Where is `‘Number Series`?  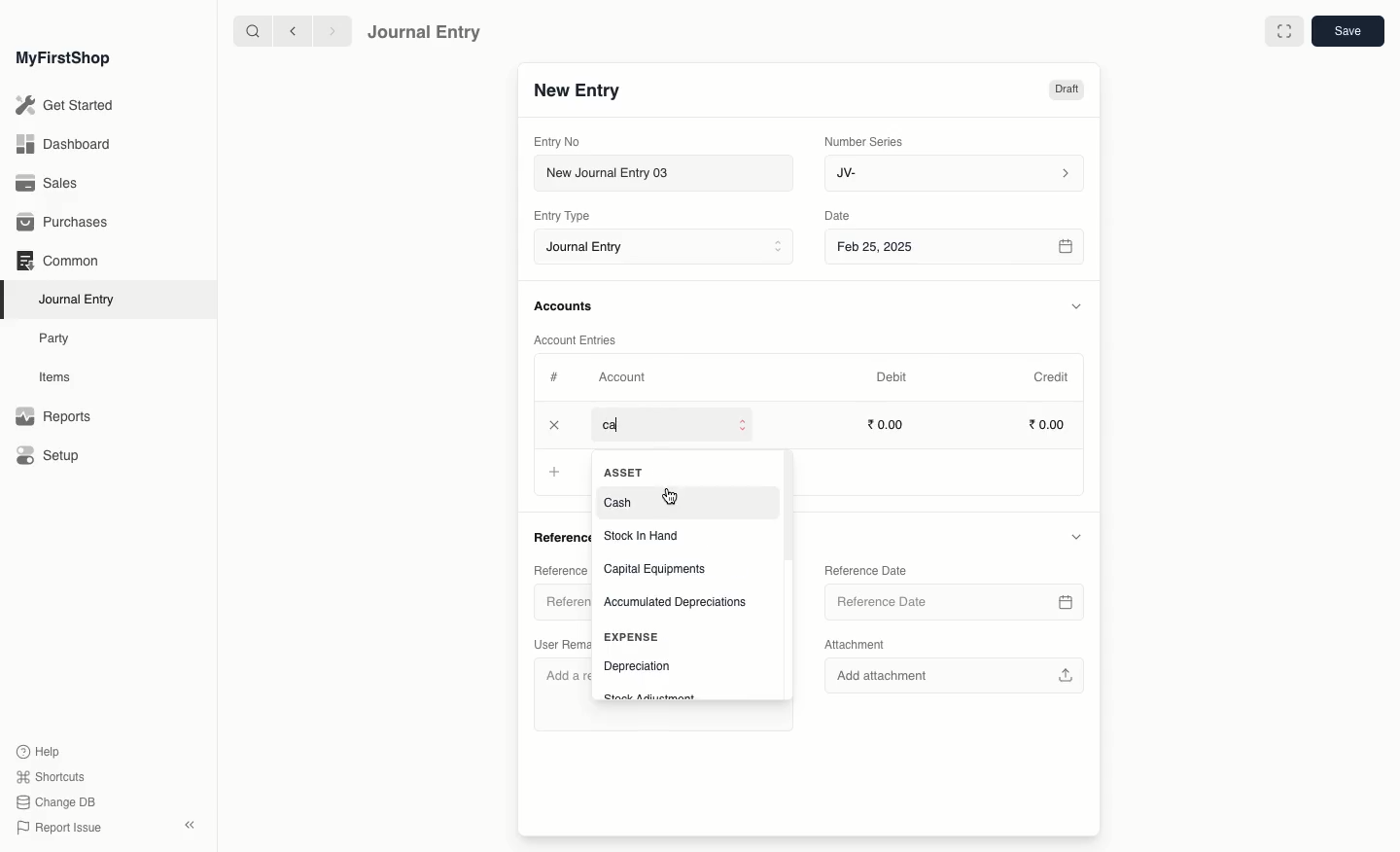 ‘Number Series is located at coordinates (864, 140).